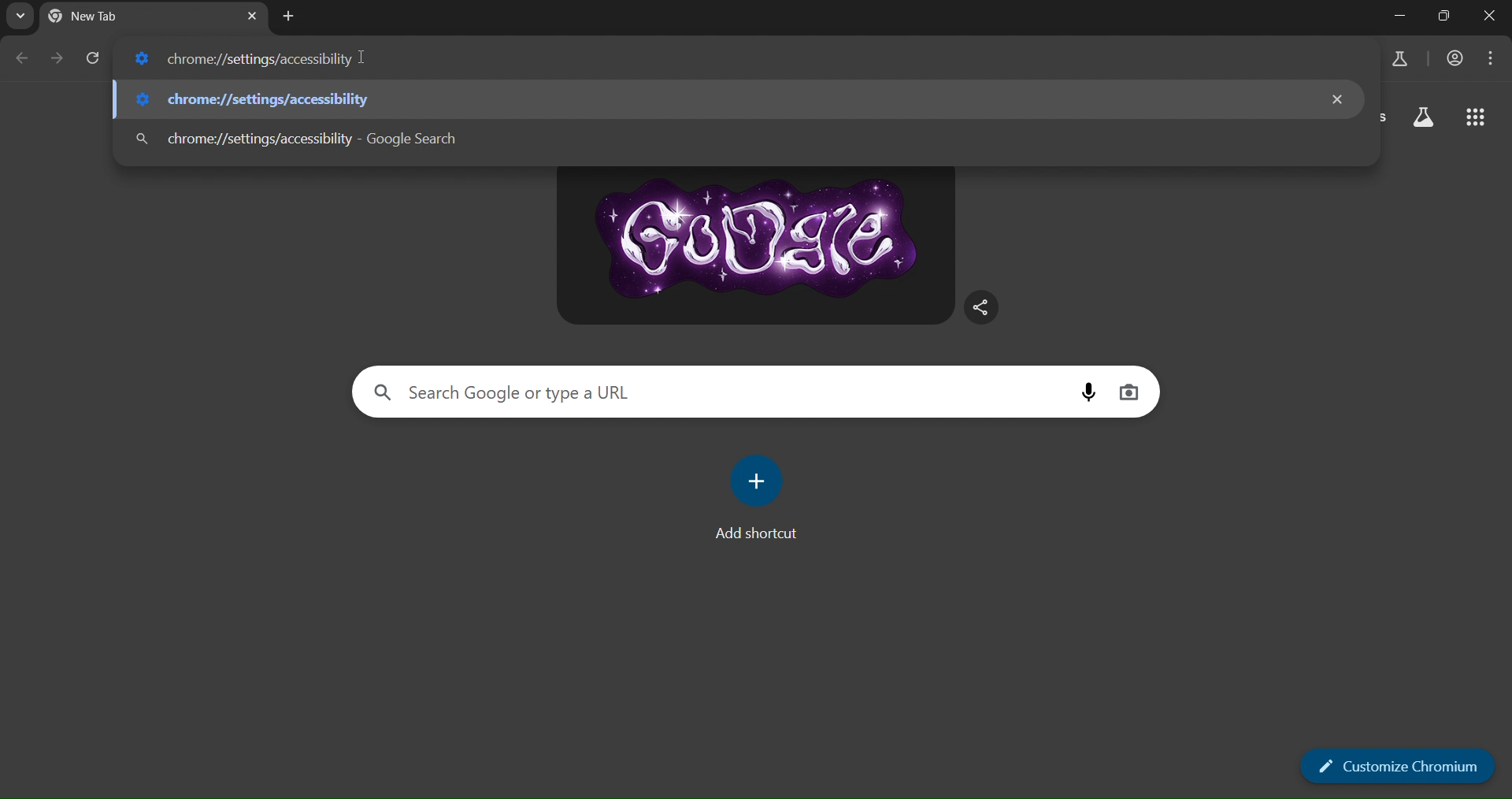 This screenshot has height=799, width=1512. What do you see at coordinates (120, 17) in the screenshot?
I see `current tab` at bounding box center [120, 17].